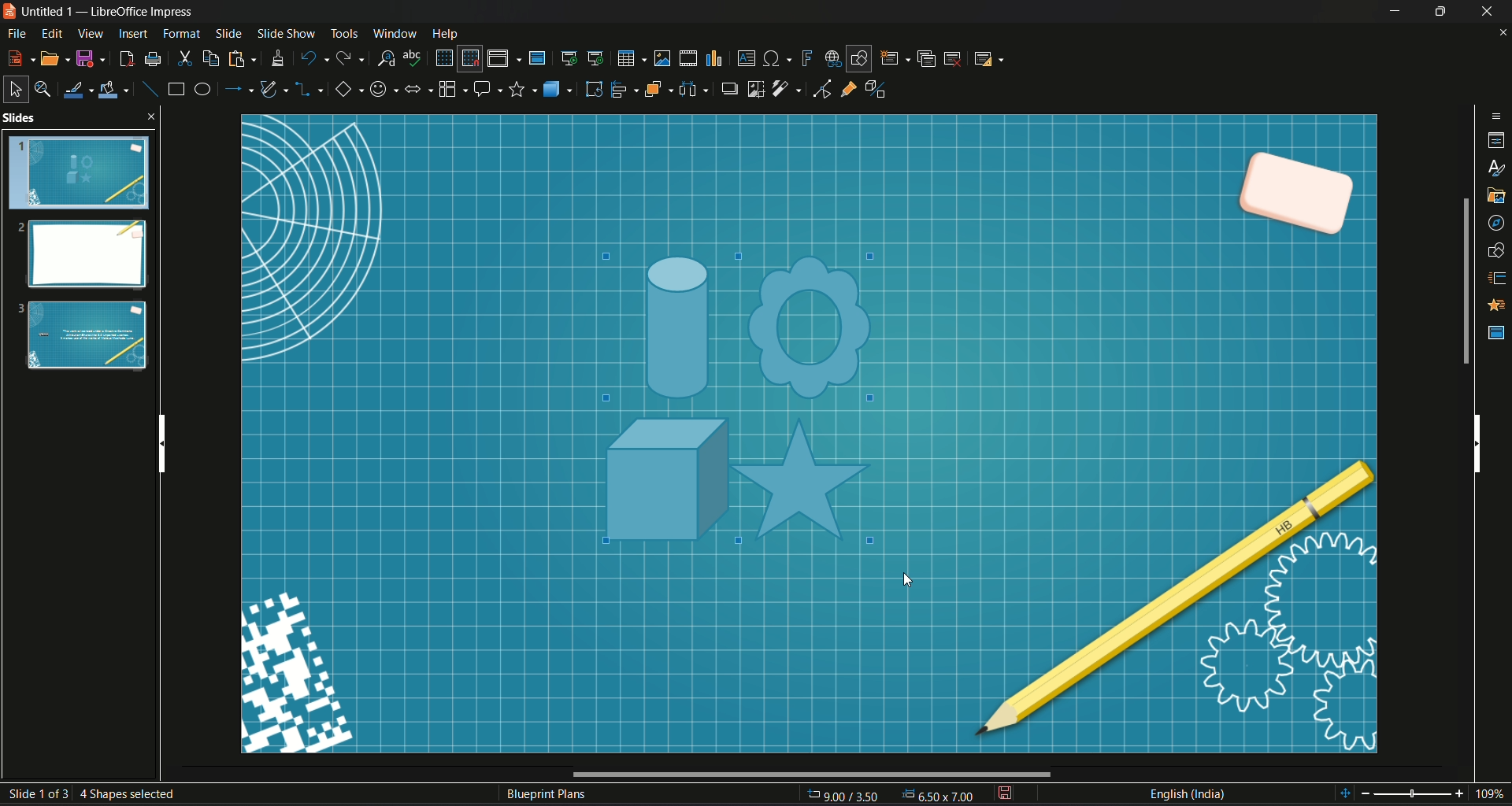 The width and height of the screenshot is (1512, 806). What do you see at coordinates (182, 34) in the screenshot?
I see `Format` at bounding box center [182, 34].